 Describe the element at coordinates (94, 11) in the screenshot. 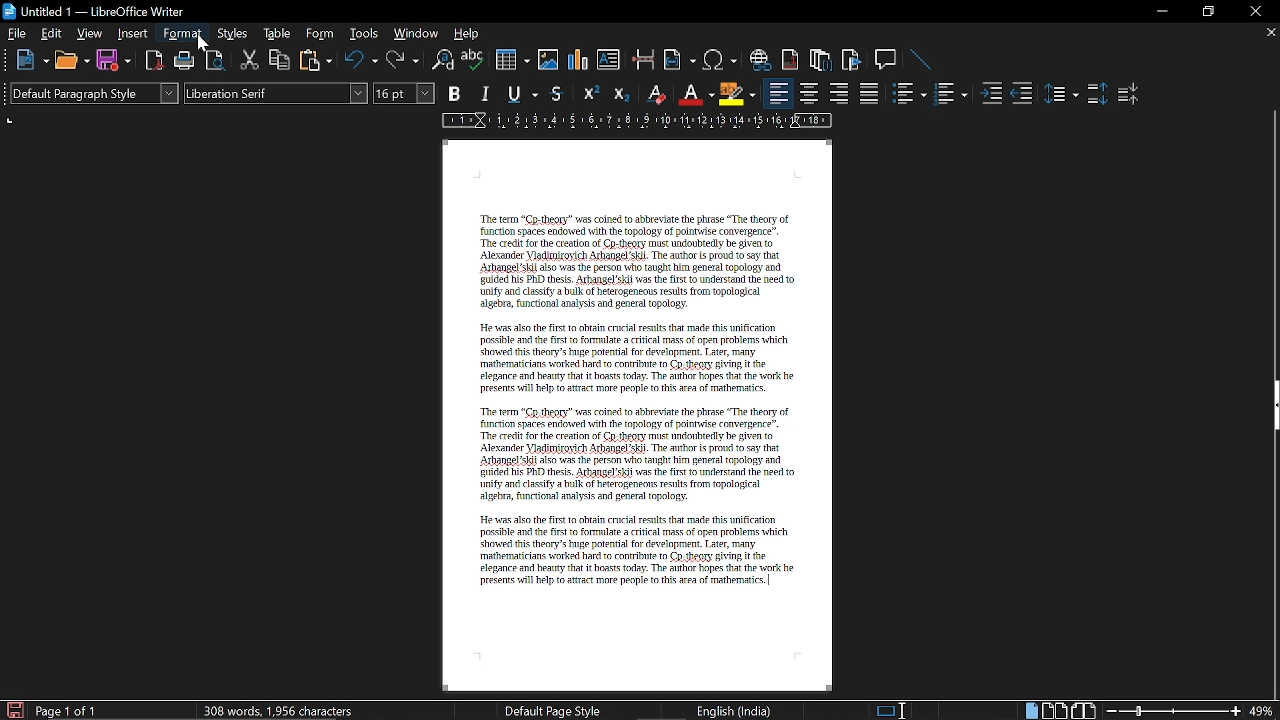

I see `Untitled 1 - LibreOffice Writer` at that location.